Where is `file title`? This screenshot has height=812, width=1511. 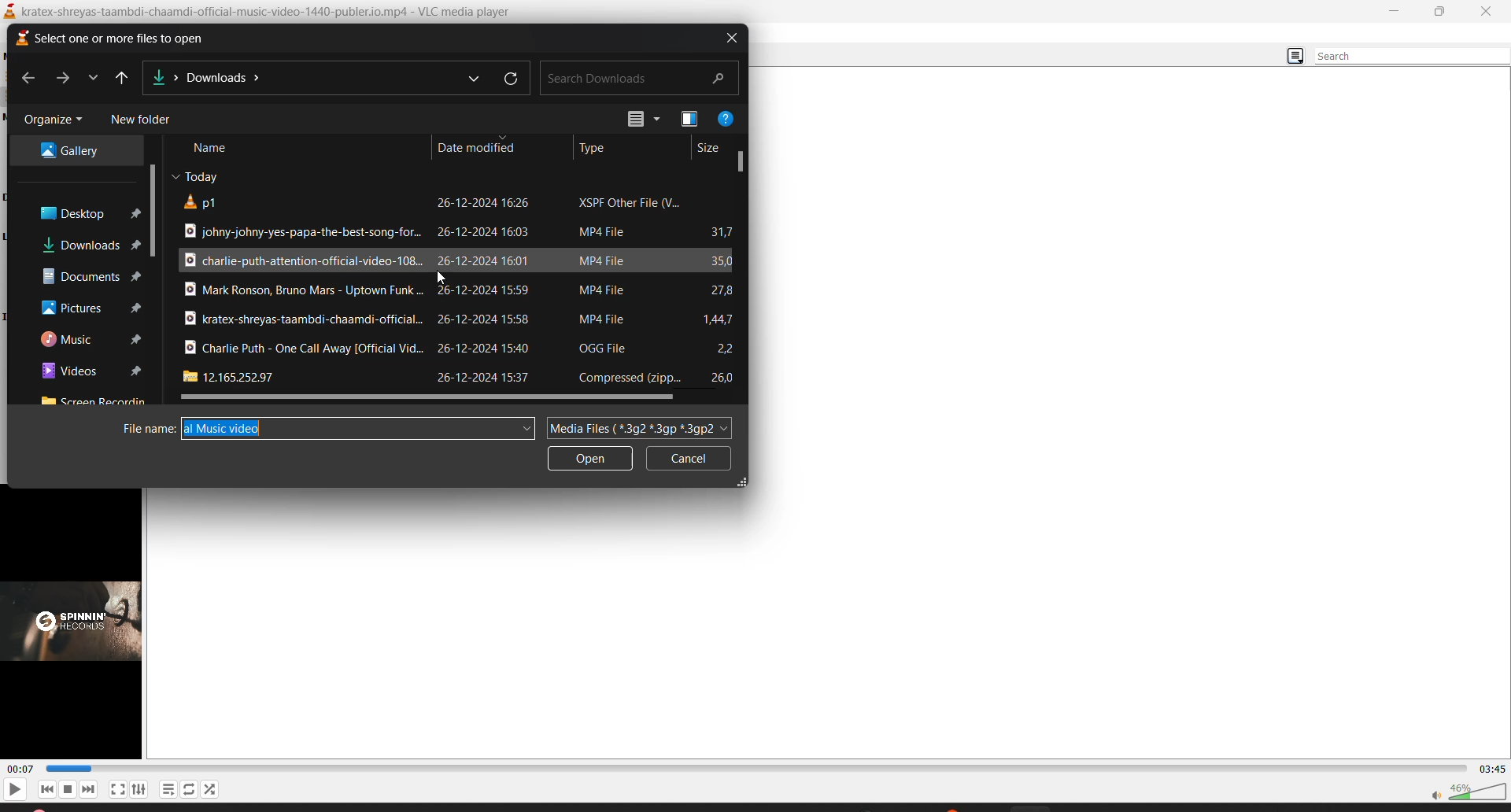
file title is located at coordinates (297, 233).